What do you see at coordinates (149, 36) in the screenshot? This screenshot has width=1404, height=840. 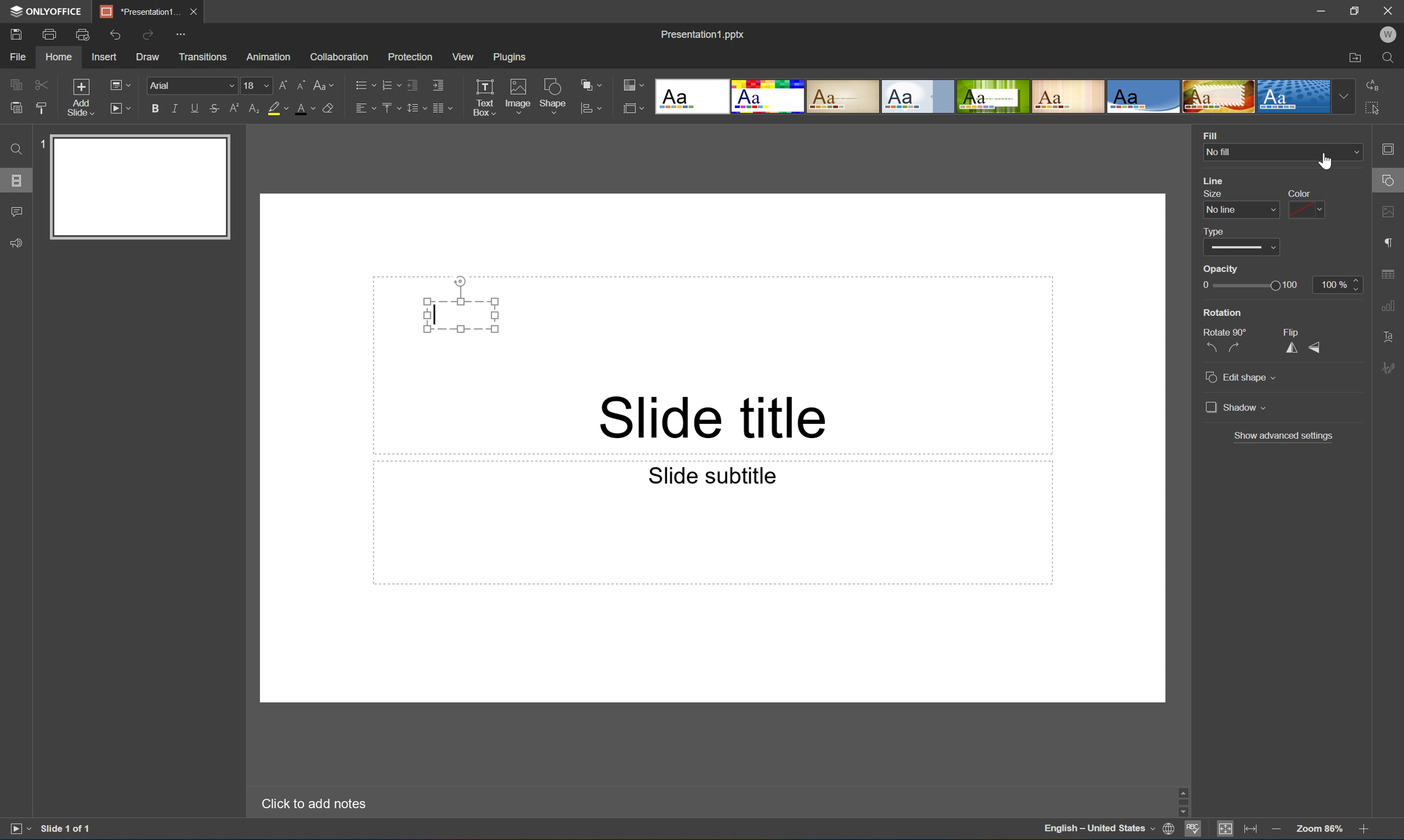 I see `Redo` at bounding box center [149, 36].